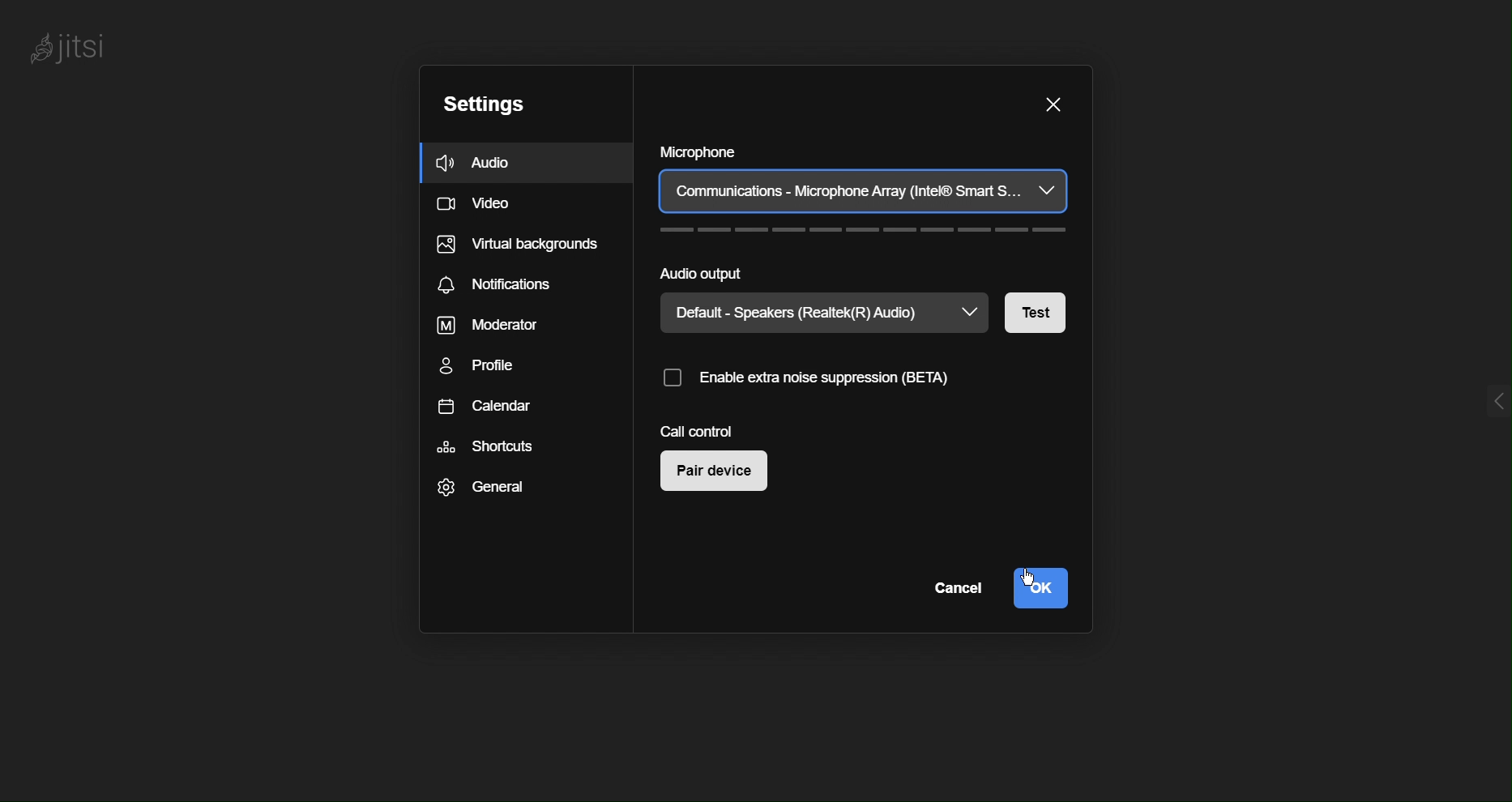  Describe the element at coordinates (477, 206) in the screenshot. I see `Video` at that location.